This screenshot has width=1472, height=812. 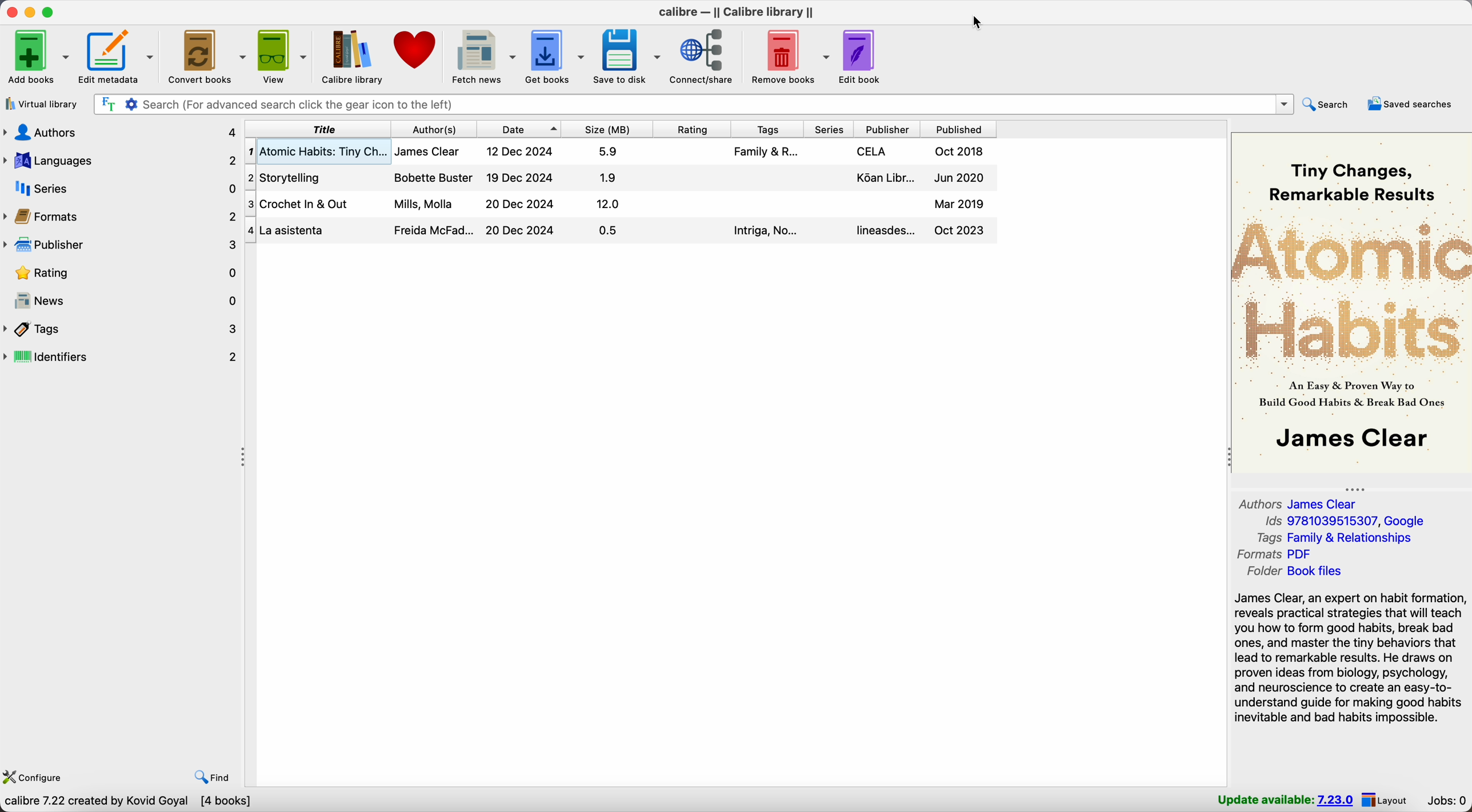 I want to click on series, so click(x=122, y=188).